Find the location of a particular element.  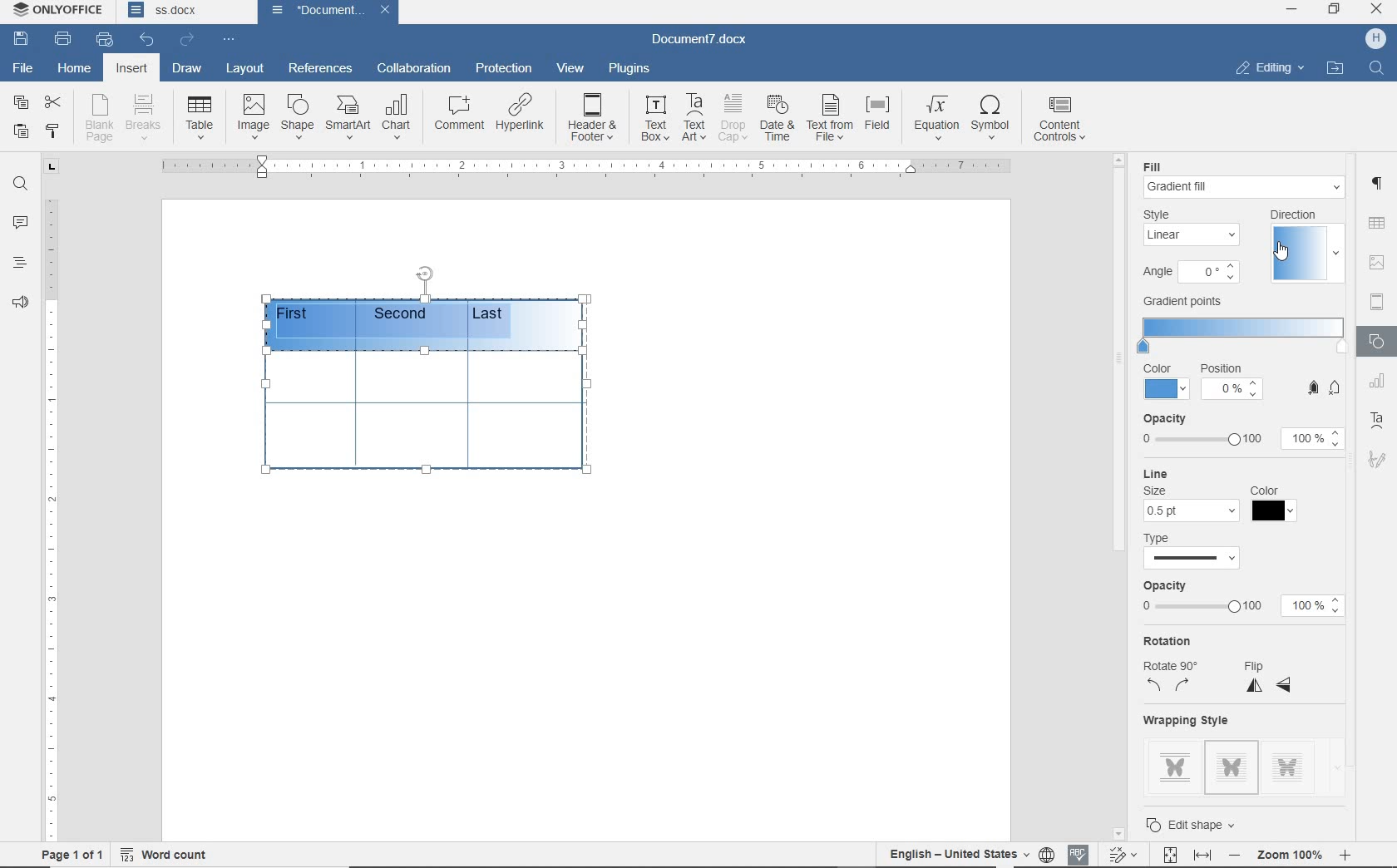

paste is located at coordinates (20, 131).